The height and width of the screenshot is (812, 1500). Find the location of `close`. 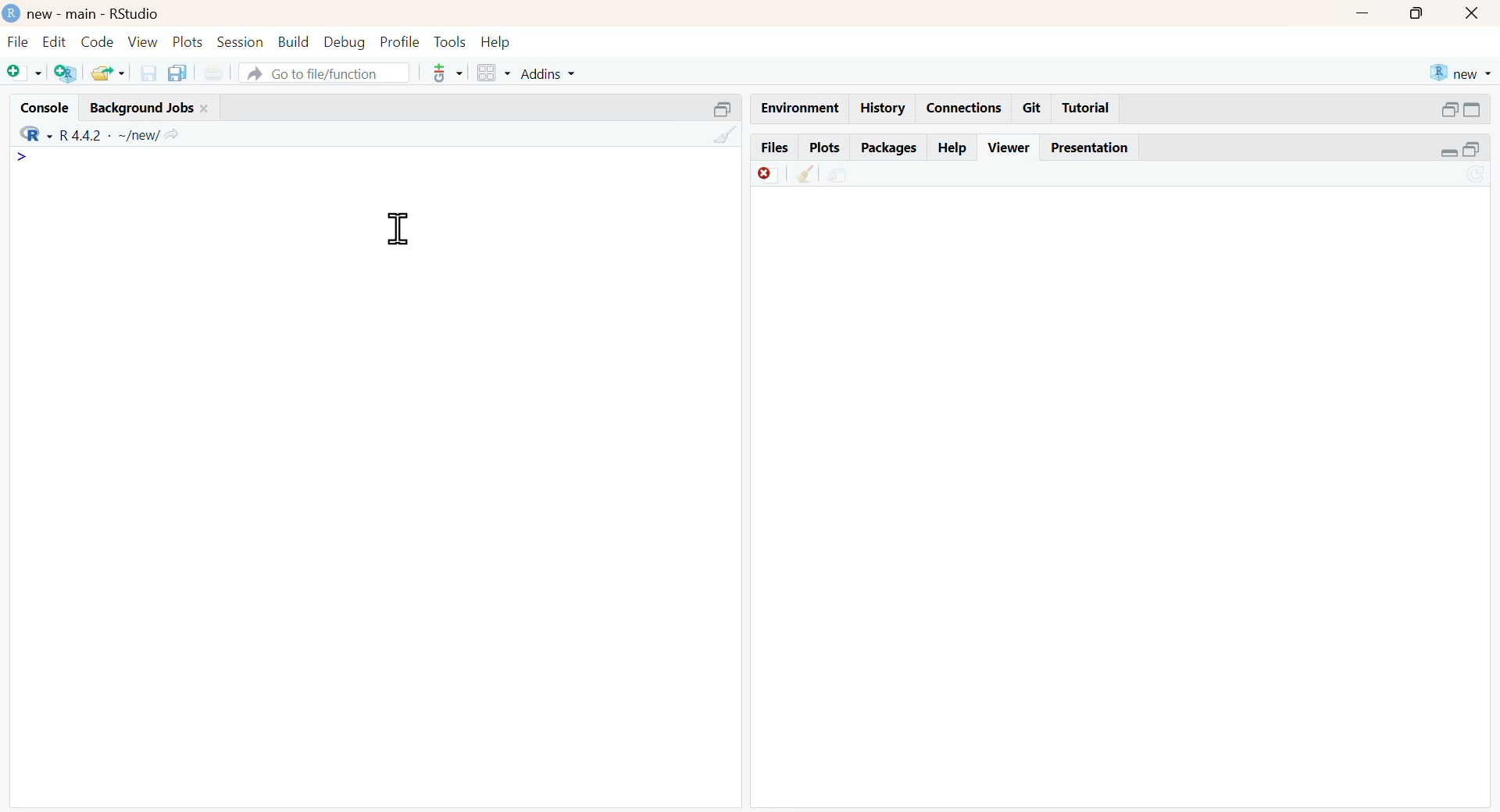

close is located at coordinates (1476, 15).